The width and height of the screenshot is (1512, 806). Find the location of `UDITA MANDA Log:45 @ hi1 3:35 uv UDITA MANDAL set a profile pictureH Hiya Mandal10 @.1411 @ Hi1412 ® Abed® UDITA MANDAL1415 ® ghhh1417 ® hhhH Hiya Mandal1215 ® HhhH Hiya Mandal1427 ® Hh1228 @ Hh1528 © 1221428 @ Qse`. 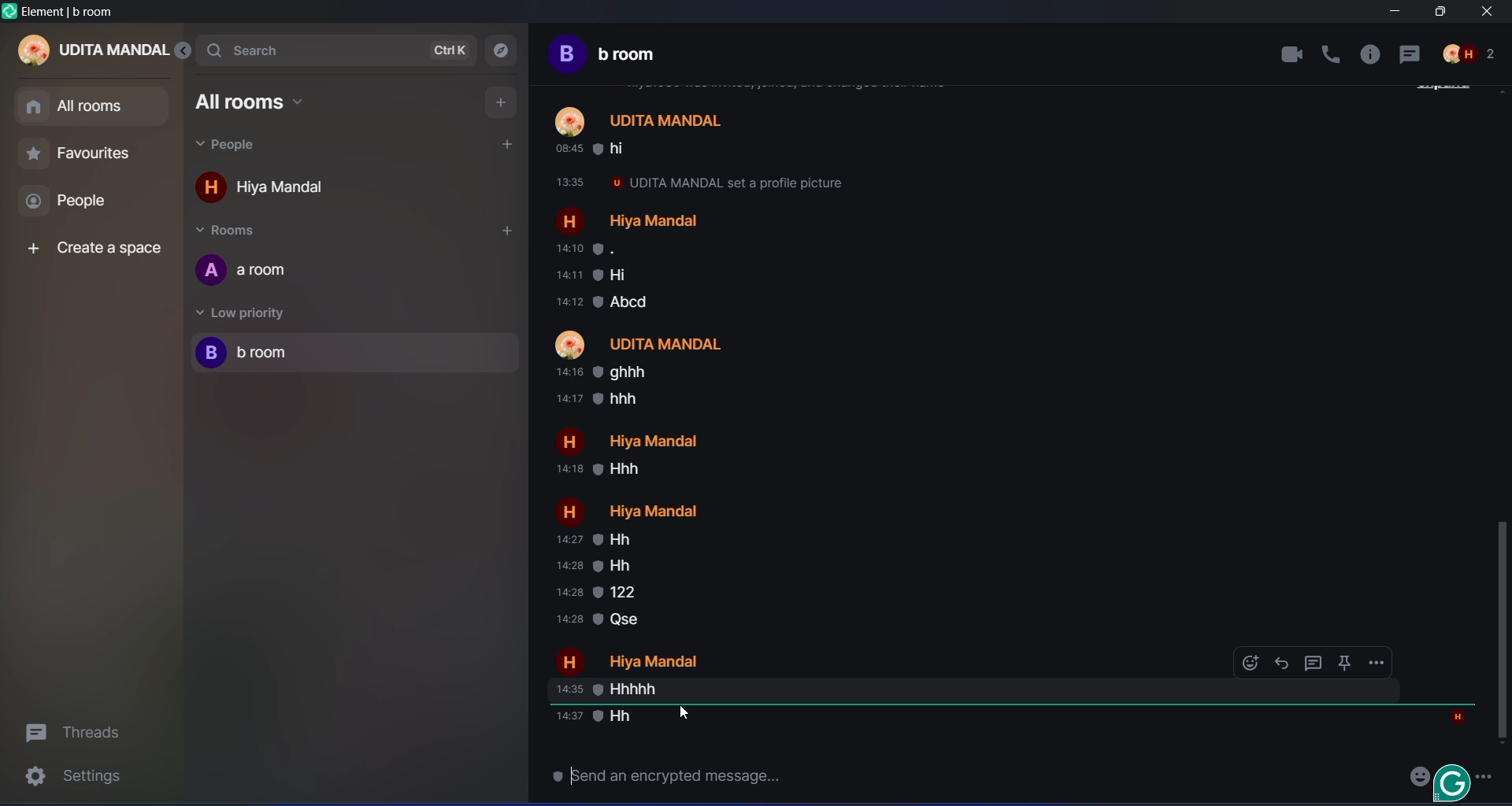

UDITA MANDA Log:45 @ hi1 3:35 uv UDITA MANDAL set a profile pictureH Hiya Mandal10 @.1411 @ Hi1412 ® Abed® UDITA MANDAL1415 ® ghhh1417 ® hhhH Hiya Mandal1215 ® HhhH Hiya Mandal1427 ® Hh1228 @ Hh1528 © 1221428 @ Qse is located at coordinates (695, 421).